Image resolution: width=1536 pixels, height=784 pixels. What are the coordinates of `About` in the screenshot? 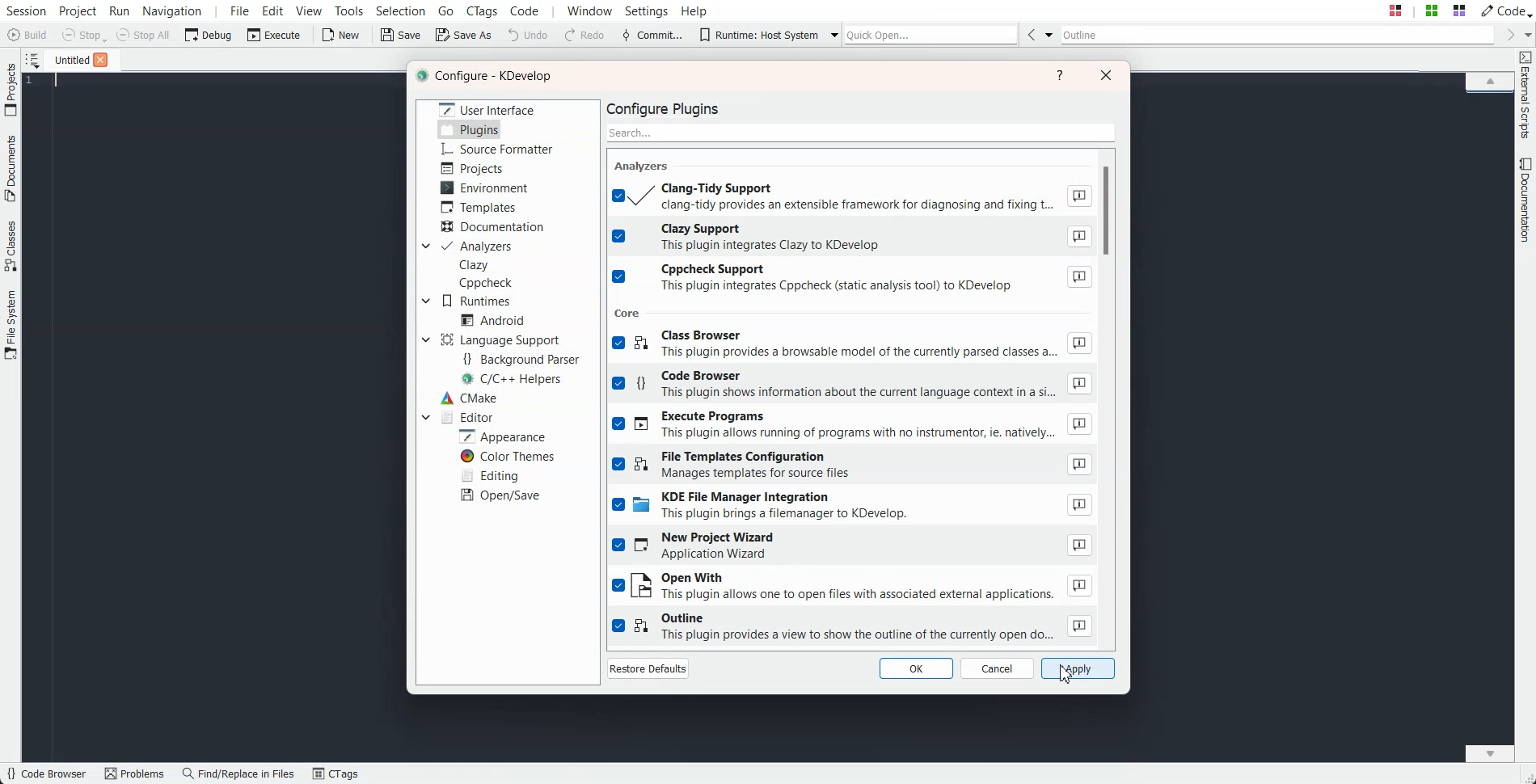 It's located at (1080, 424).